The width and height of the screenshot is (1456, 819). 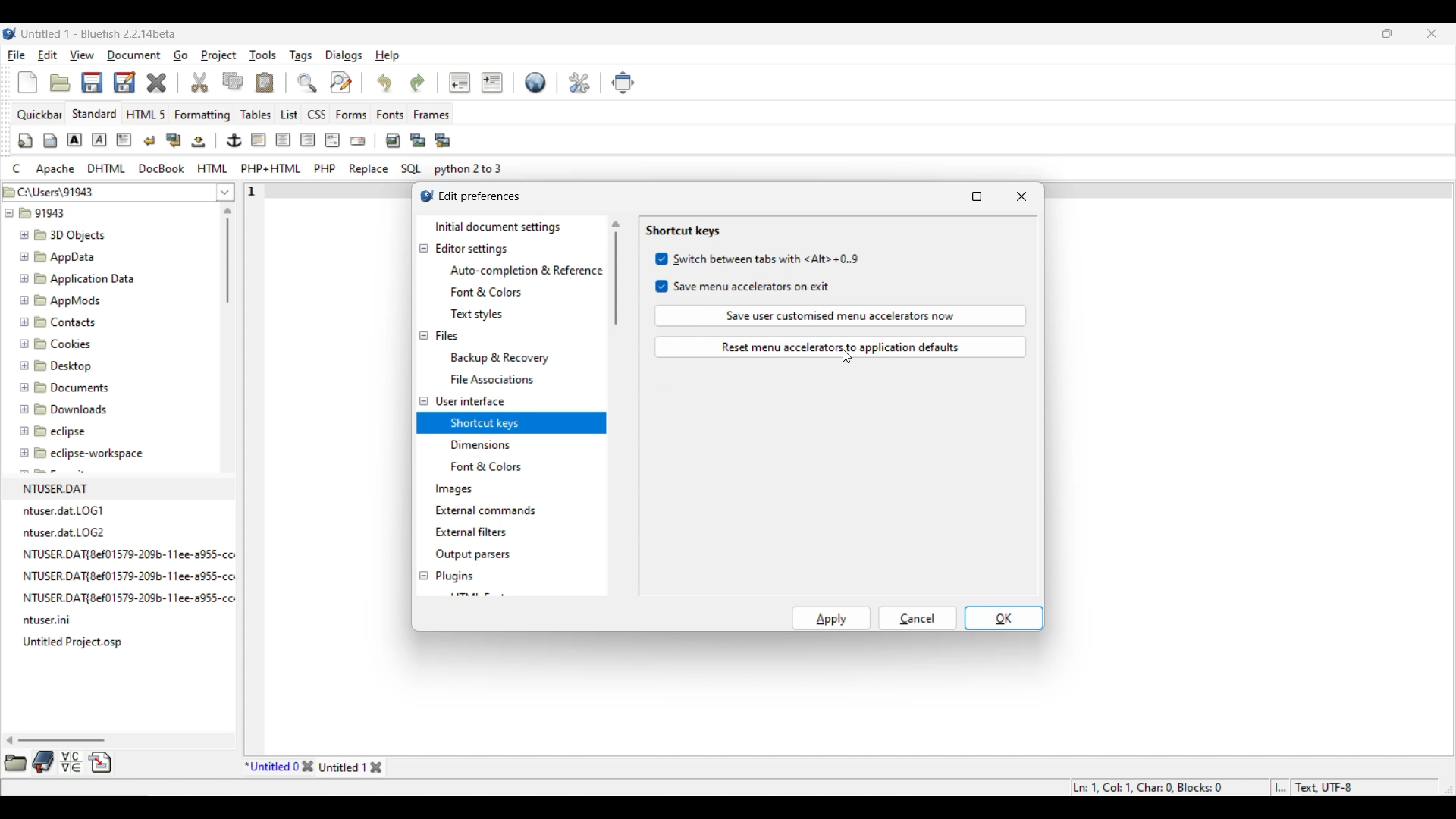 I want to click on Font & Colors, so click(x=492, y=467).